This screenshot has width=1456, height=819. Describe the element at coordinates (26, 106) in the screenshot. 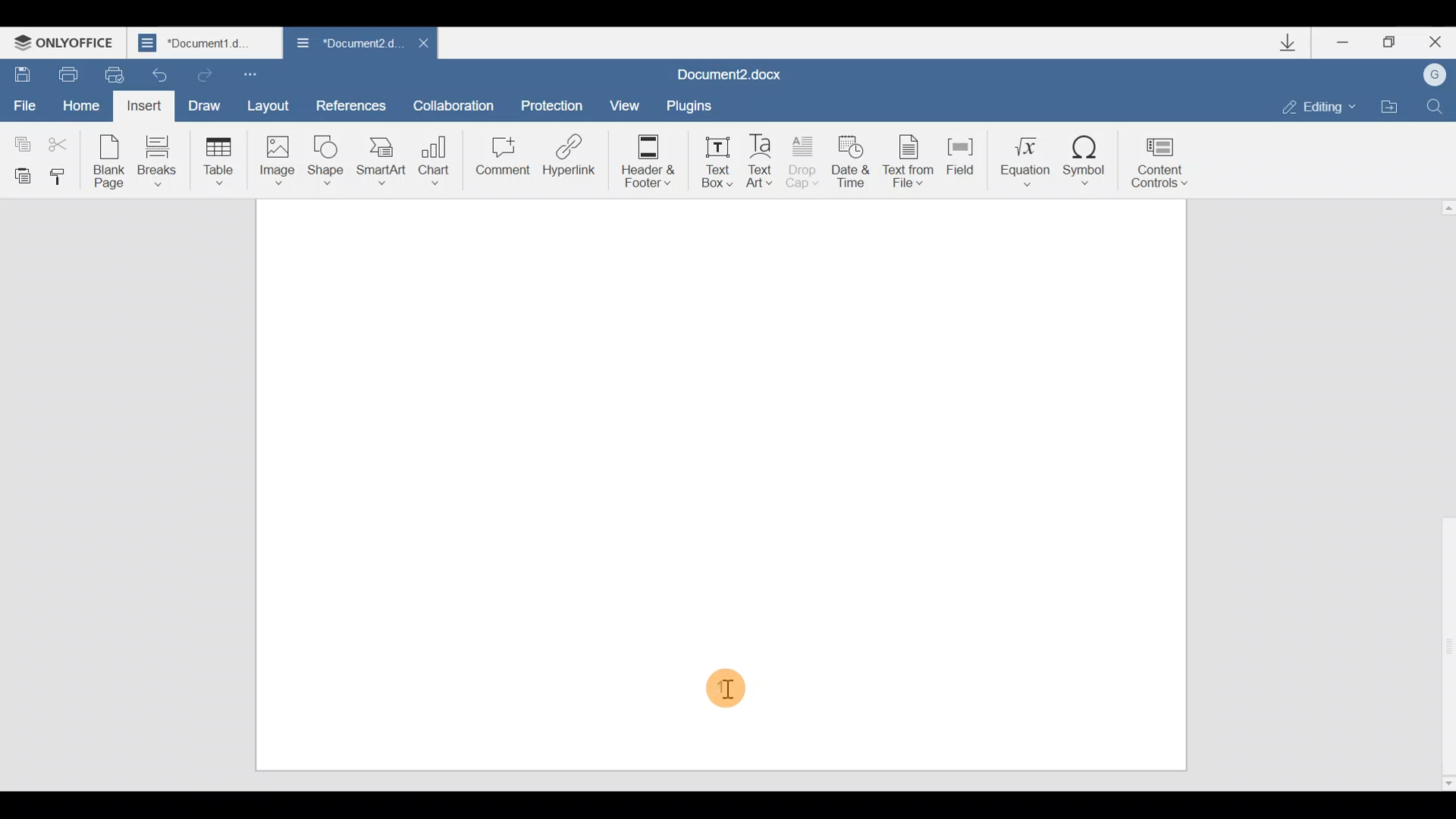

I see `File` at that location.